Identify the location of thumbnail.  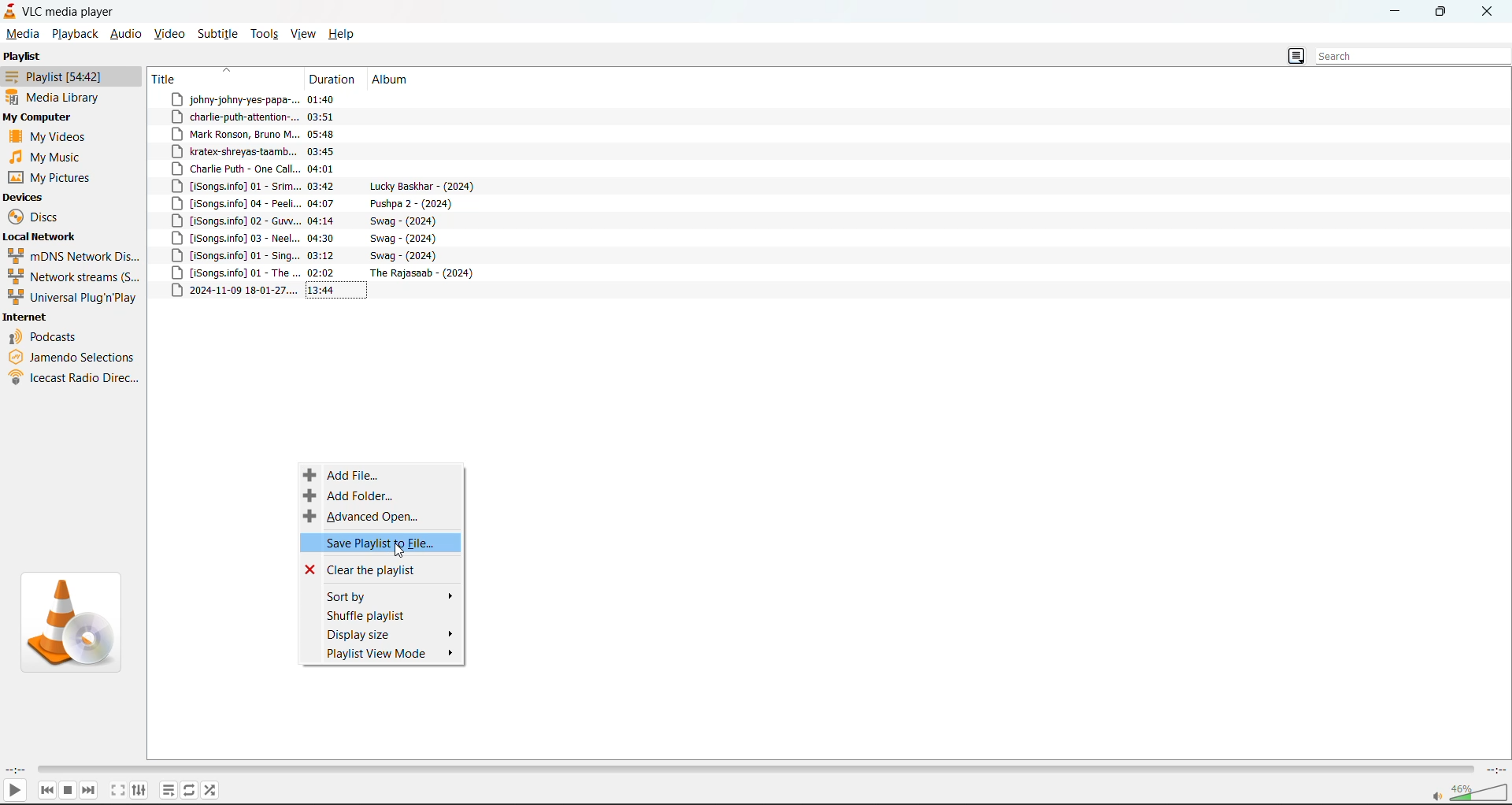
(69, 621).